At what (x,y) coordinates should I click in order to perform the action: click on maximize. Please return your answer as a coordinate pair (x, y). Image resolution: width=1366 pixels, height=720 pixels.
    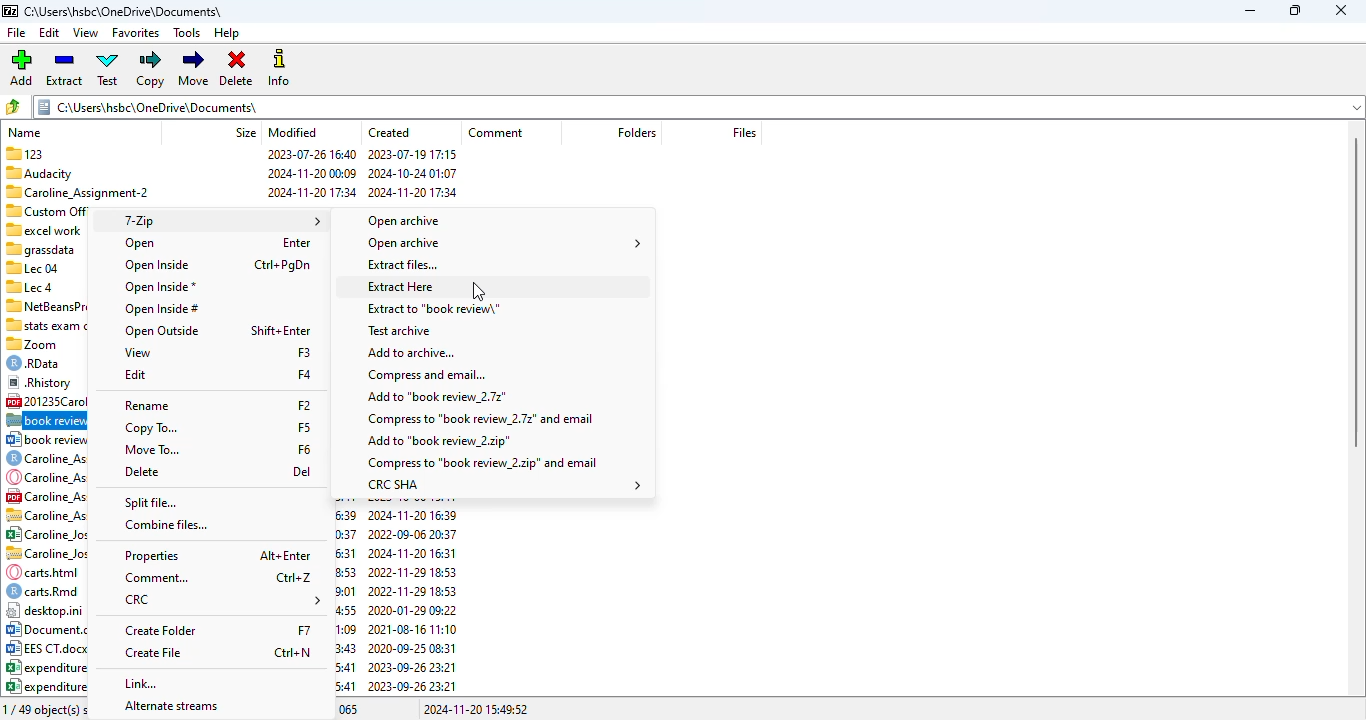
    Looking at the image, I should click on (1294, 11).